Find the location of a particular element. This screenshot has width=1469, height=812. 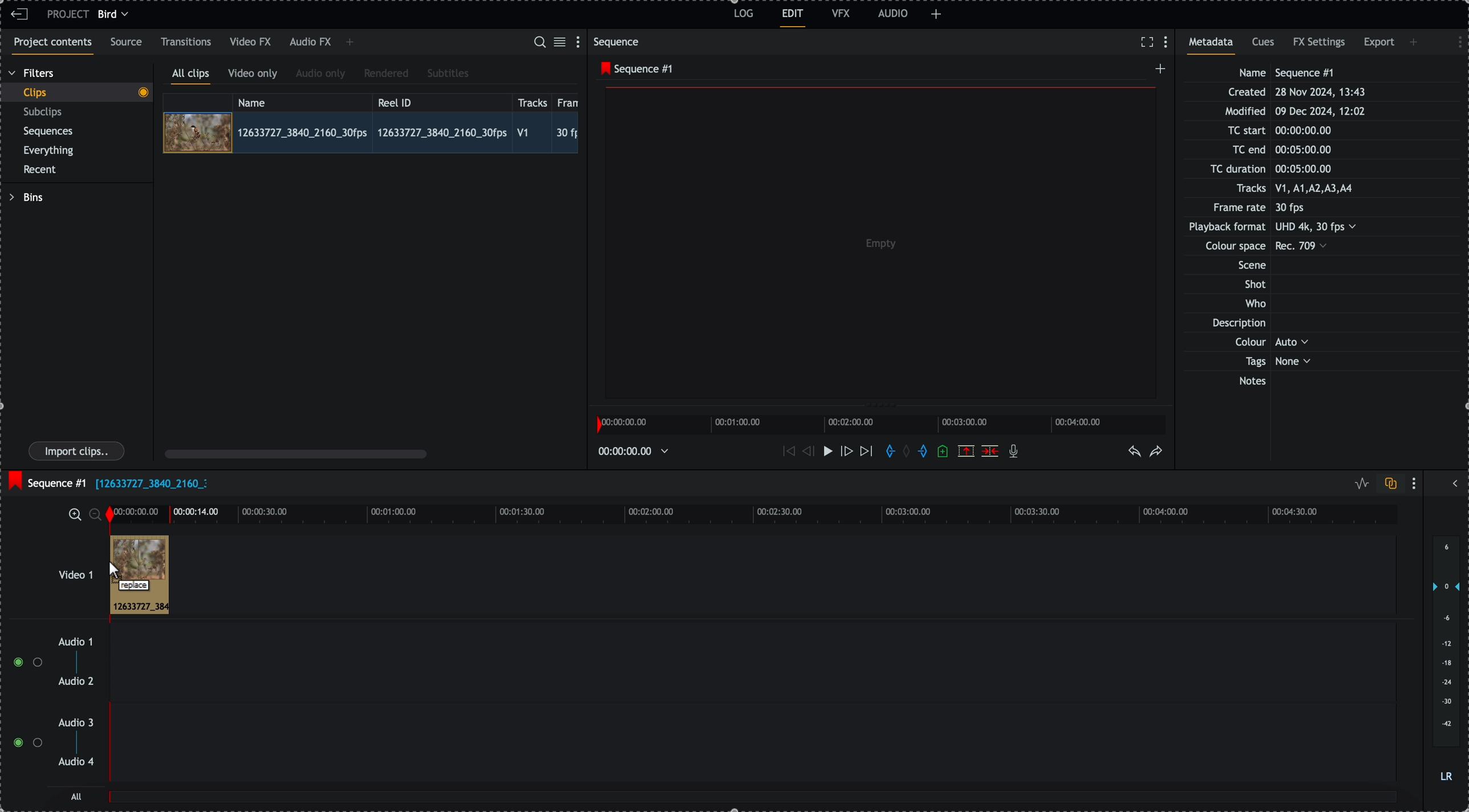

redo is located at coordinates (1156, 452).